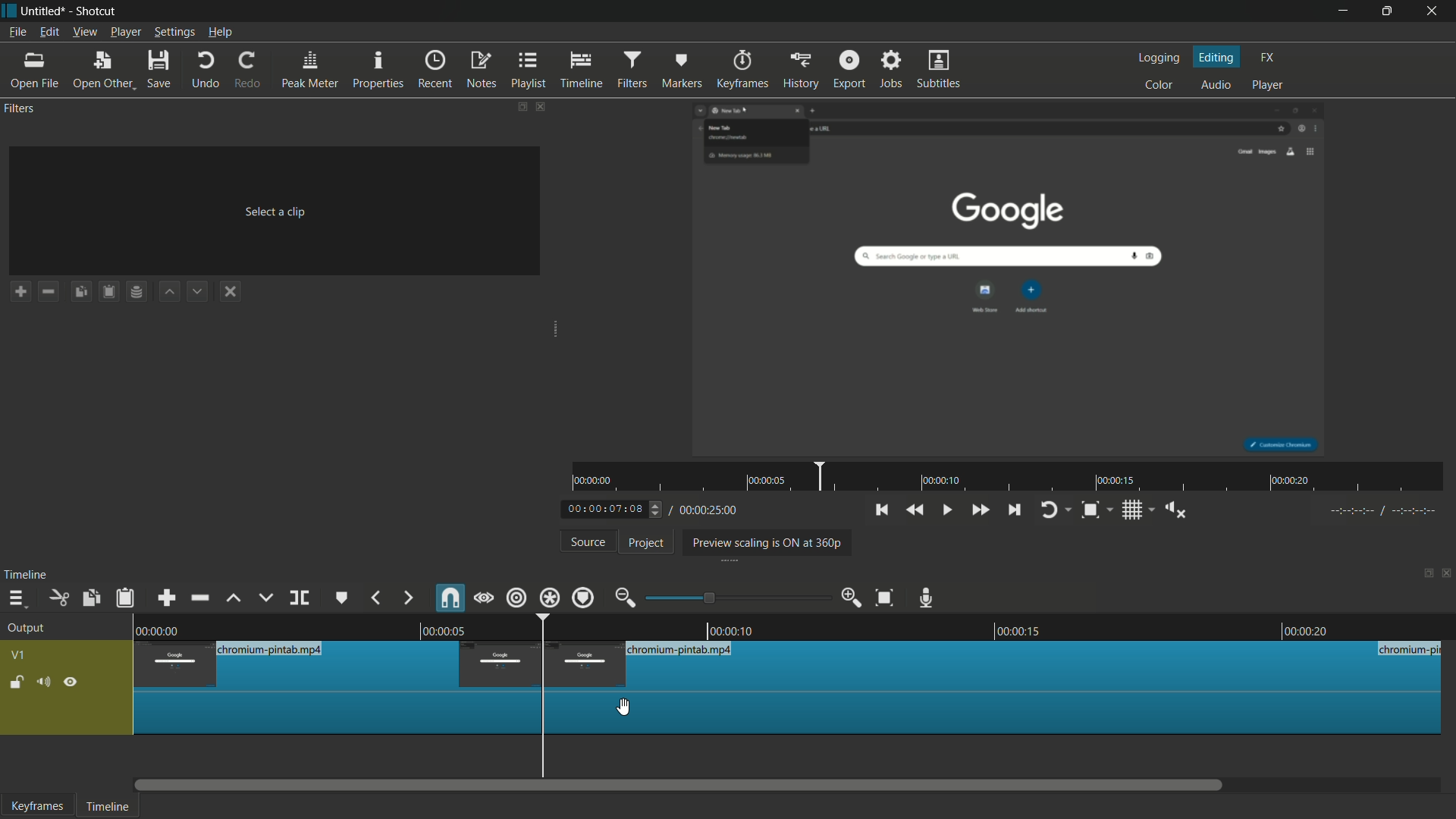 This screenshot has height=819, width=1456. What do you see at coordinates (81, 291) in the screenshot?
I see `copy checked filters` at bounding box center [81, 291].